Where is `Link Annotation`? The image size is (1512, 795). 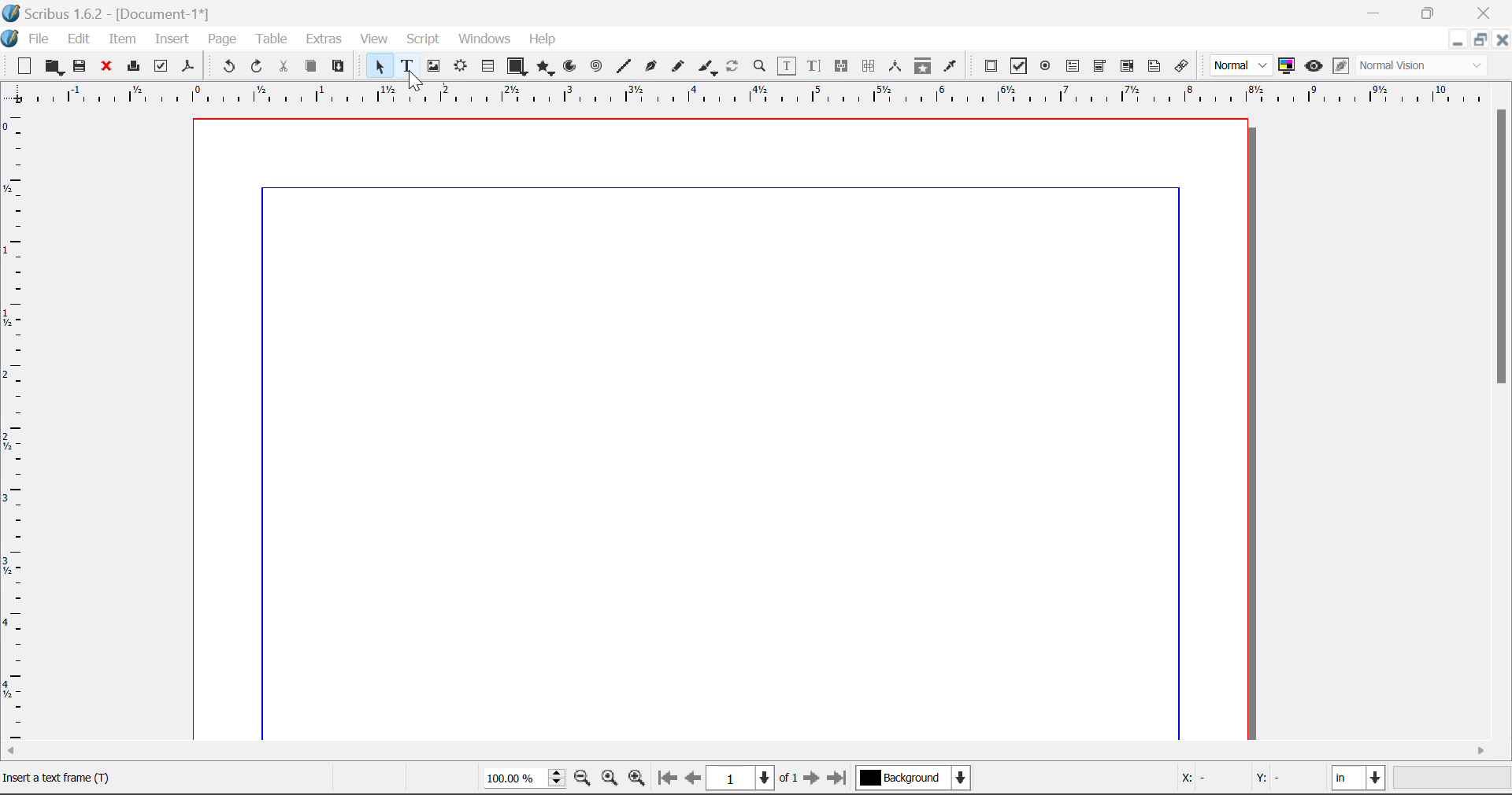 Link Annotation is located at coordinates (1180, 66).